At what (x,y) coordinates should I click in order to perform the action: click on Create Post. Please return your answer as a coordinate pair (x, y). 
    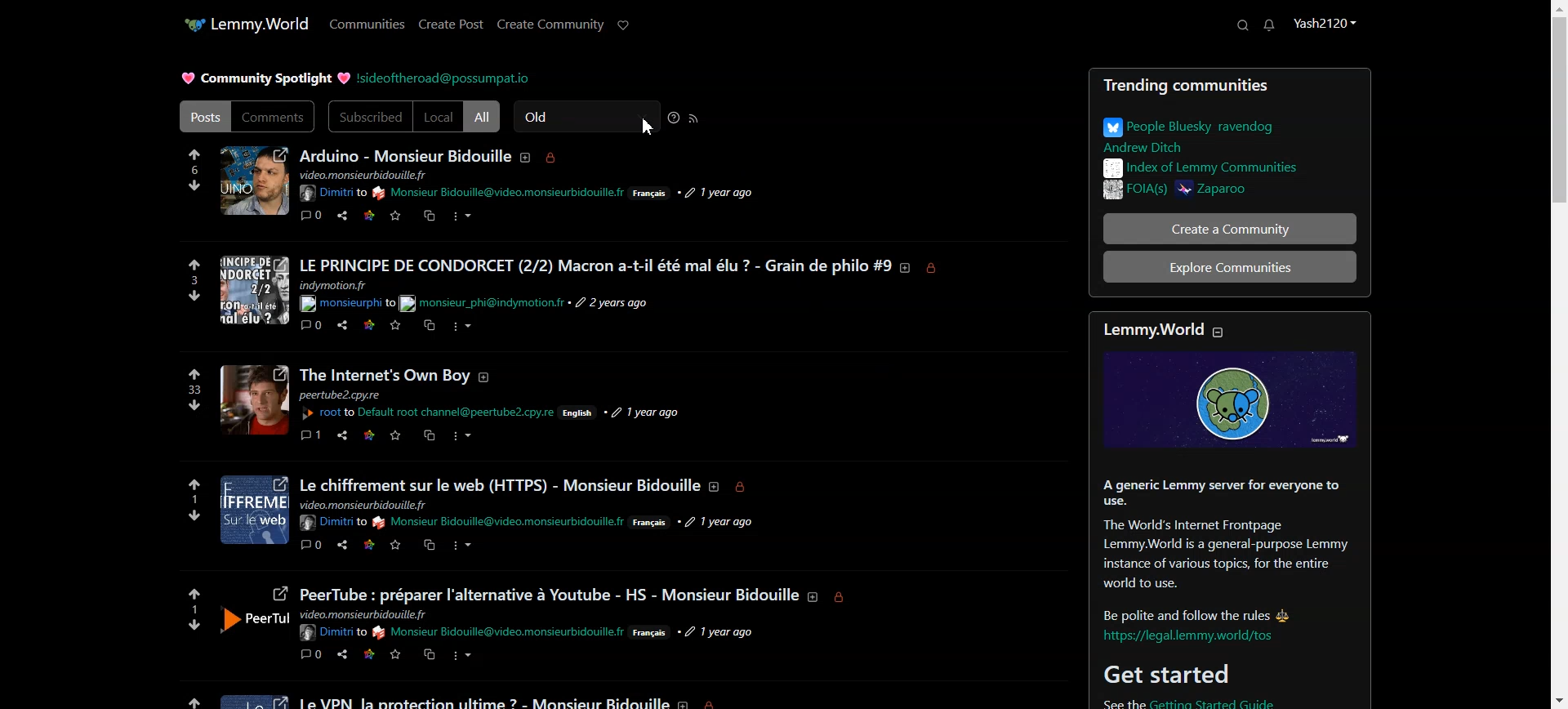
    Looking at the image, I should click on (452, 25).